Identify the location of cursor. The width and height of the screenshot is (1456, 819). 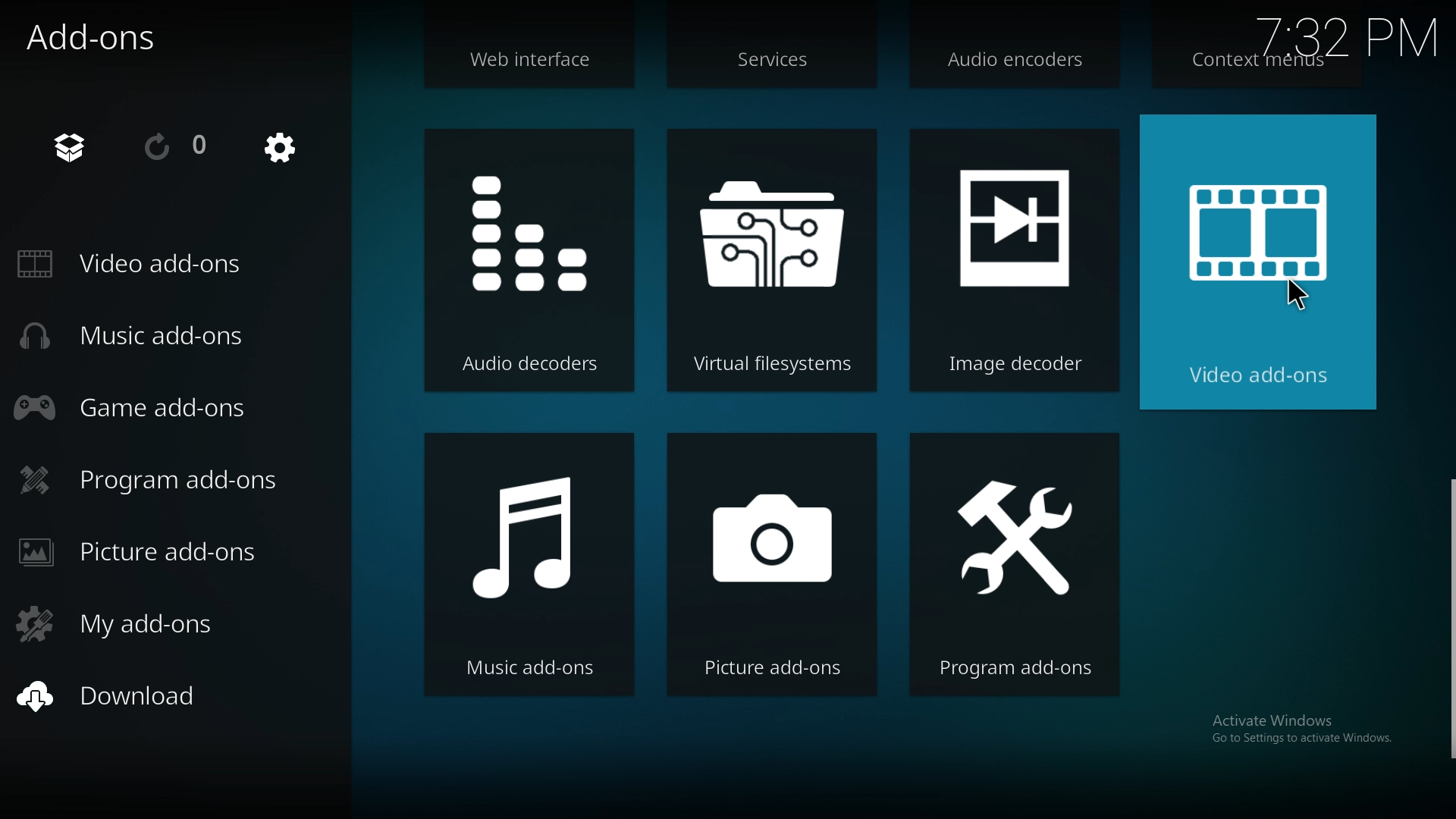
(1293, 297).